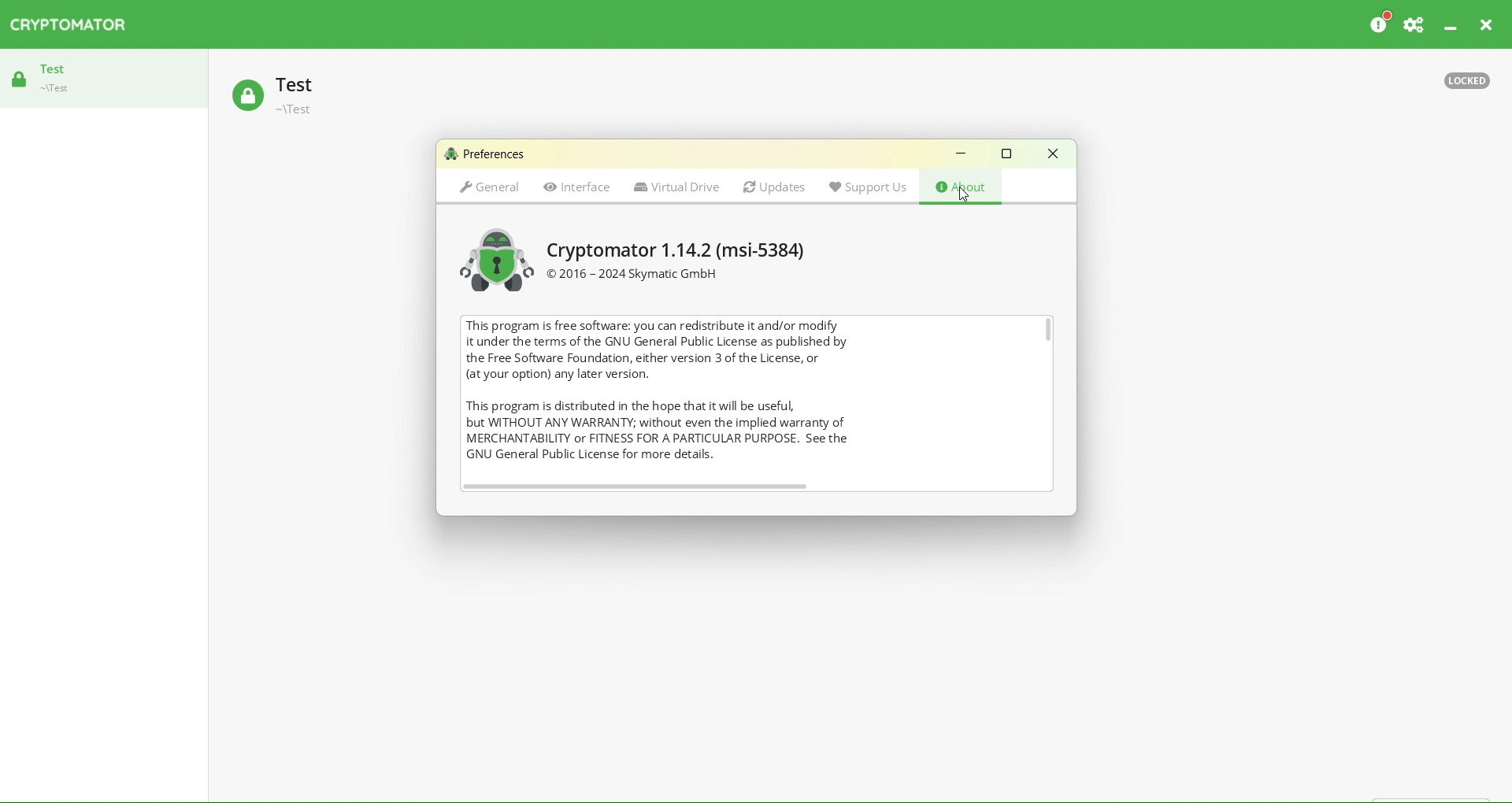 The image size is (1512, 803). I want to click on Virtual Drive, so click(676, 190).